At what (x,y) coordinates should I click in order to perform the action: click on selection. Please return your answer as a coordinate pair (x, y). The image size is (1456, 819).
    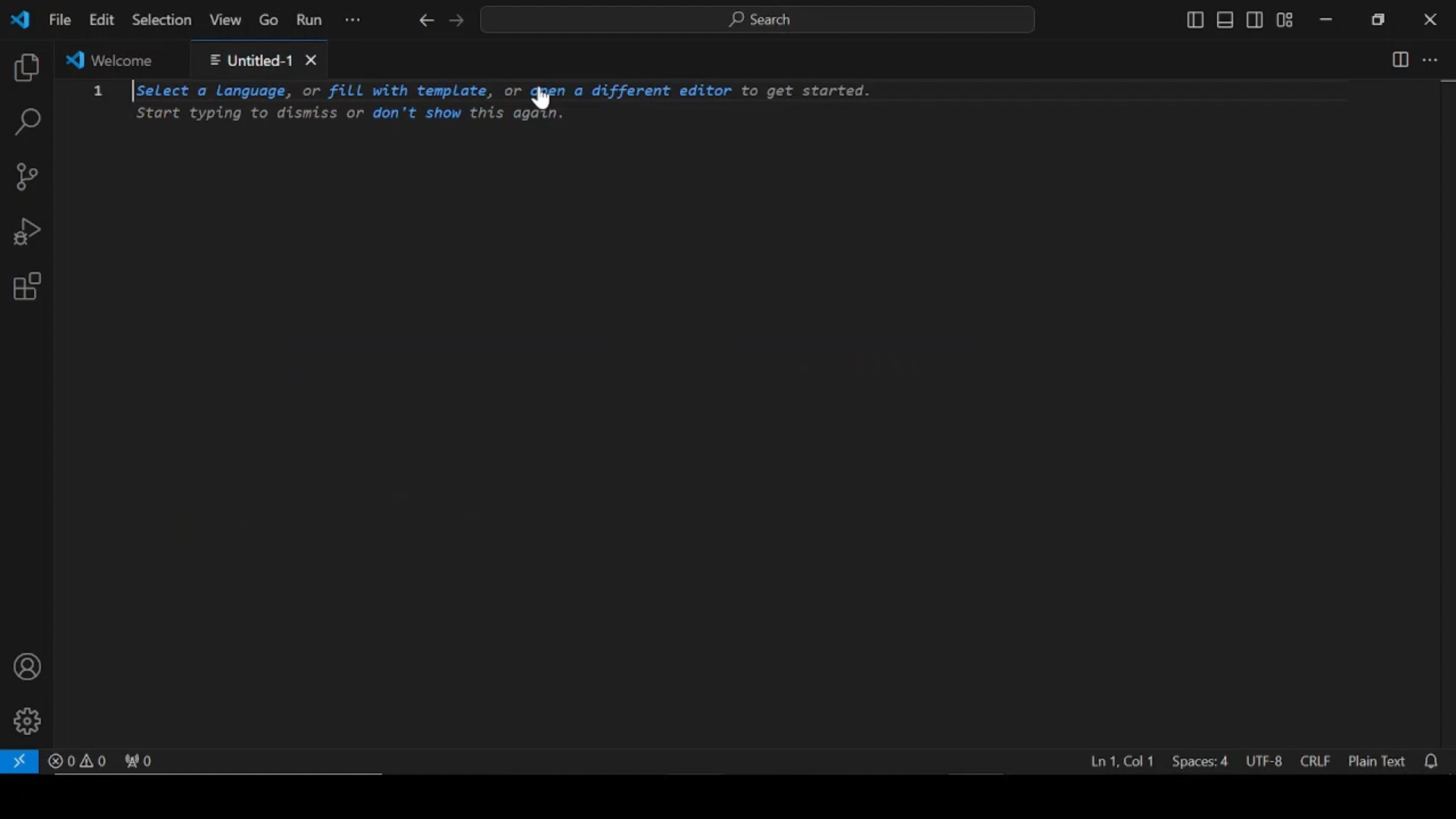
    Looking at the image, I should click on (161, 20).